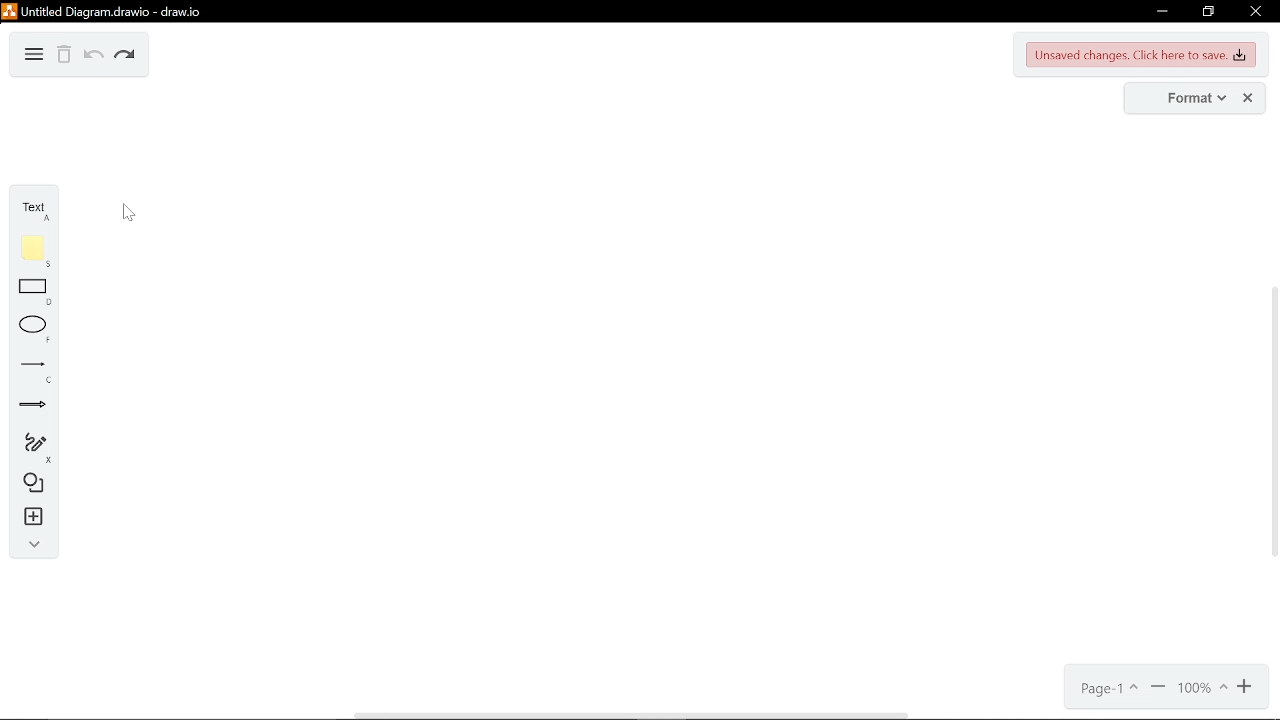  What do you see at coordinates (1248, 98) in the screenshot?
I see `close` at bounding box center [1248, 98].